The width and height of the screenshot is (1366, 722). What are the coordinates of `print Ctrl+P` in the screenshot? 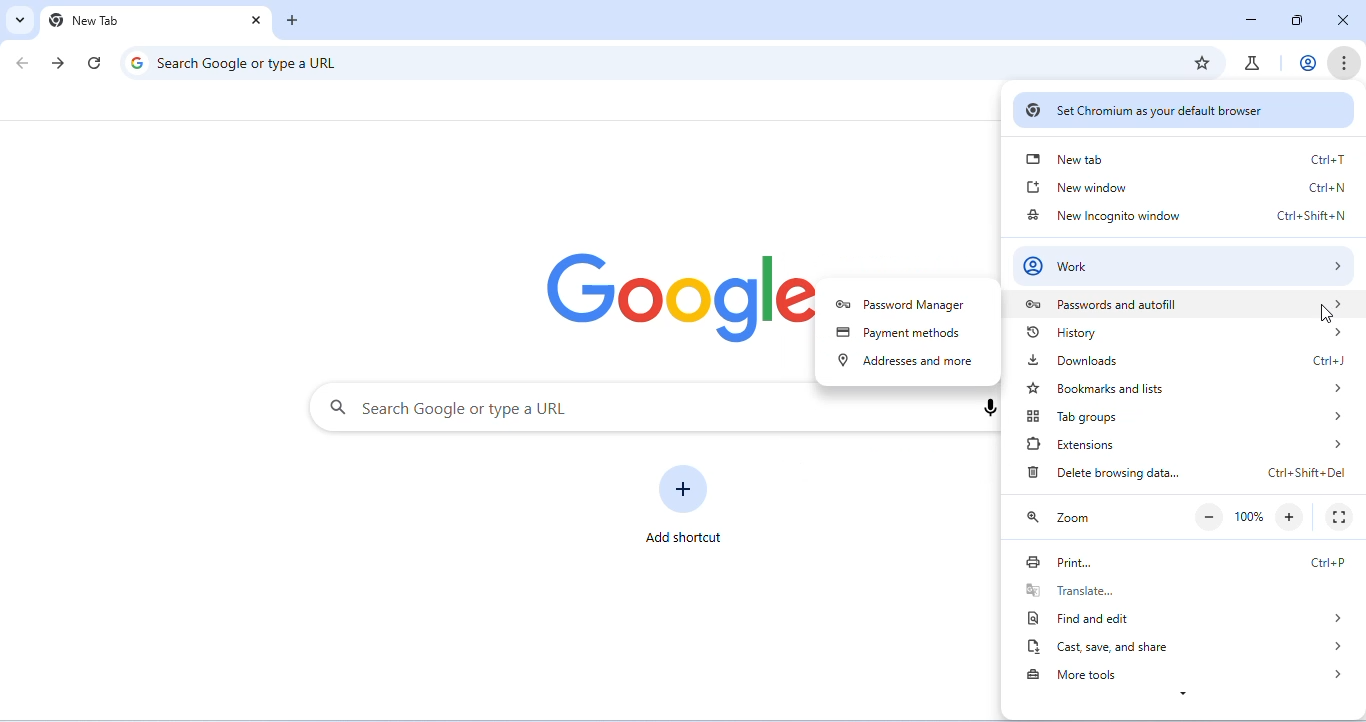 It's located at (1181, 559).